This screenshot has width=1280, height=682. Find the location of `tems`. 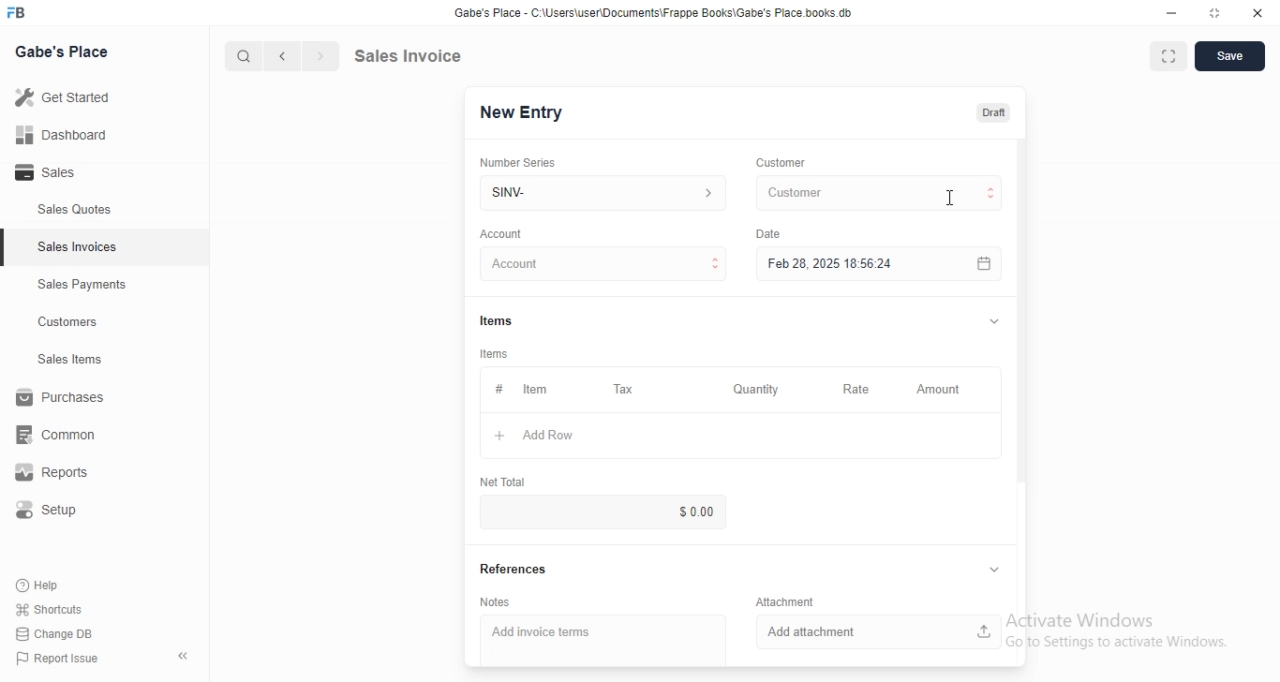

tems is located at coordinates (497, 354).